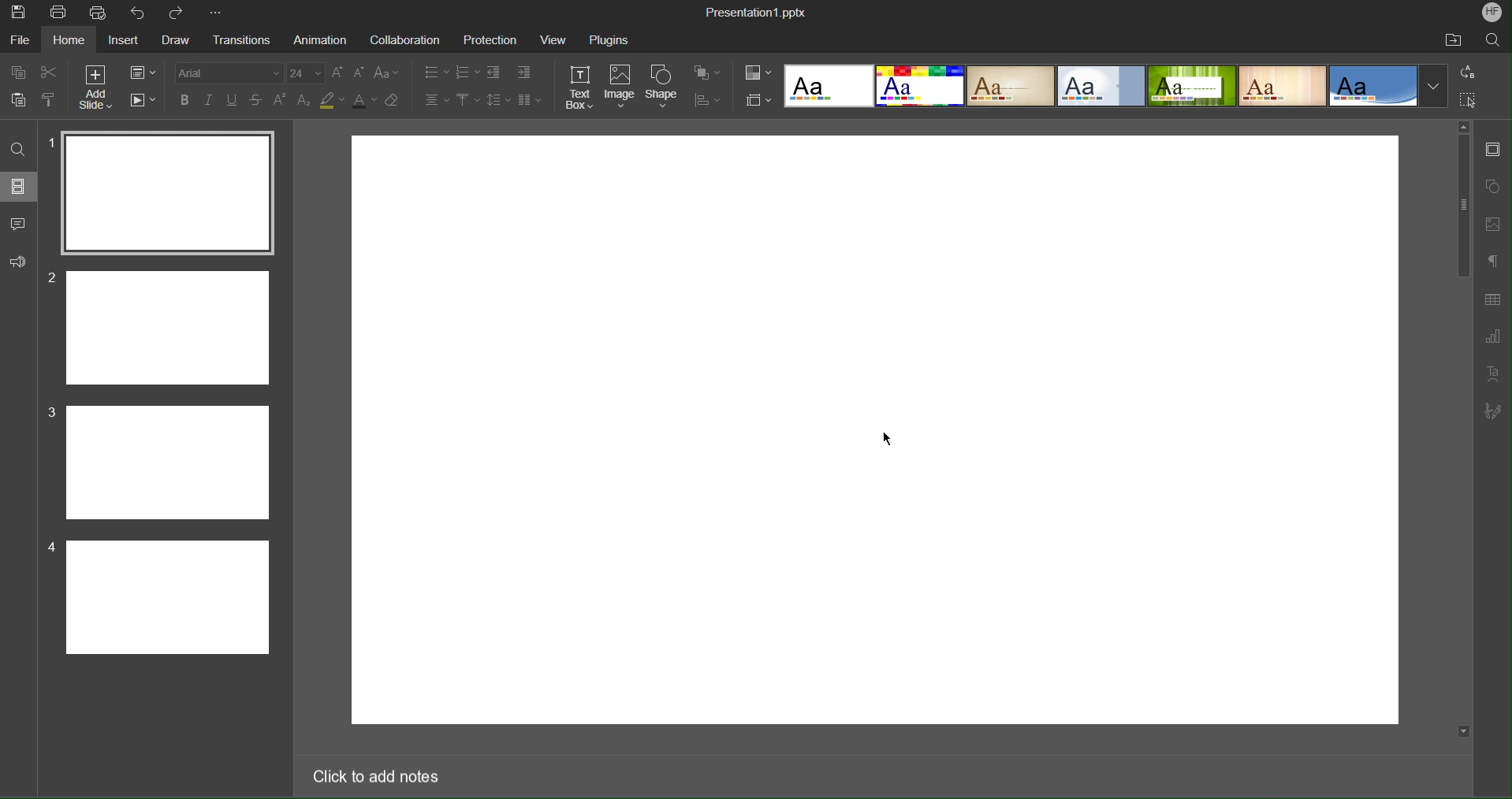 The width and height of the screenshot is (1512, 799). I want to click on Feedback and Support, so click(18, 263).